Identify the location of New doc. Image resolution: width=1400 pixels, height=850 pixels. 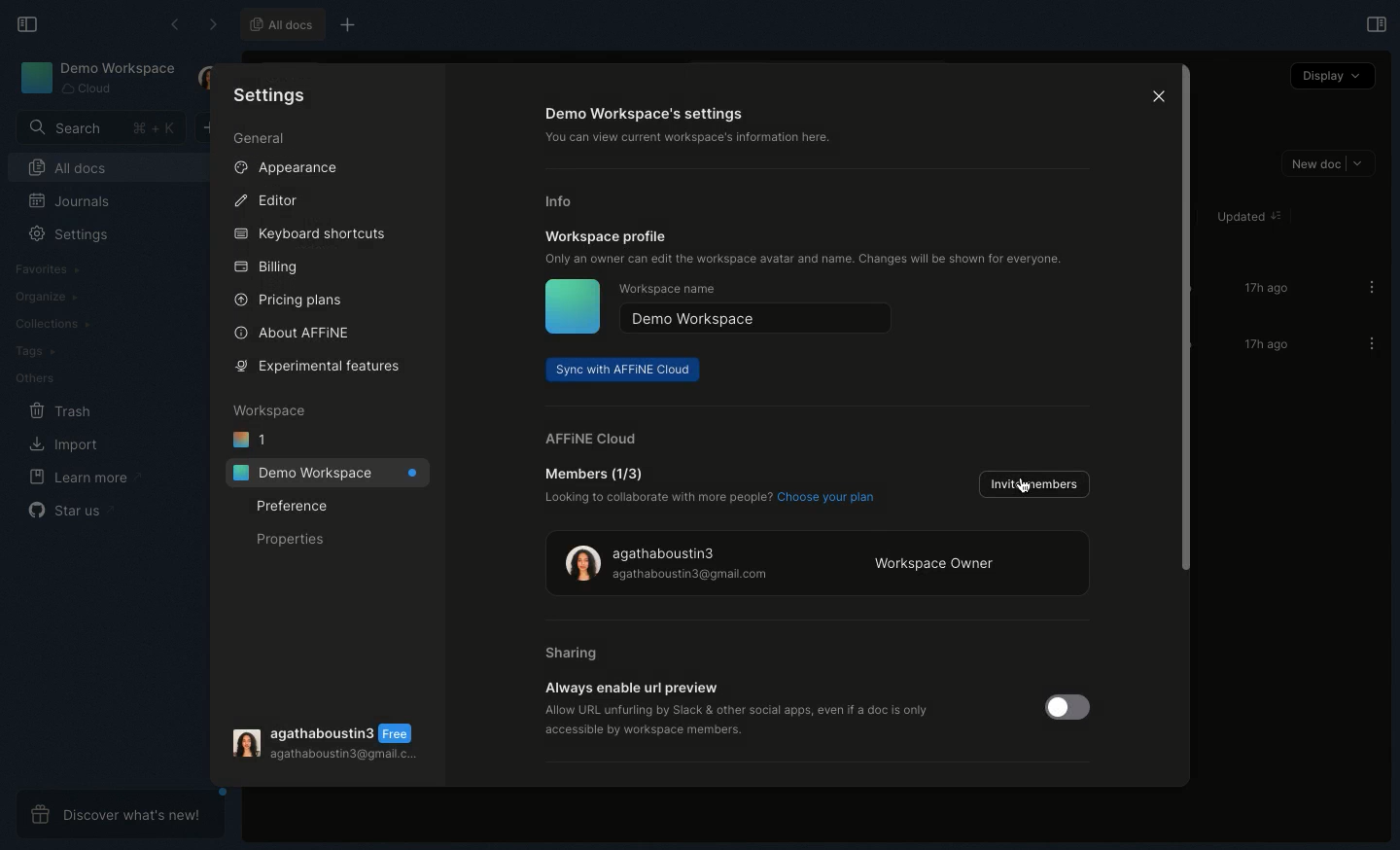
(1326, 164).